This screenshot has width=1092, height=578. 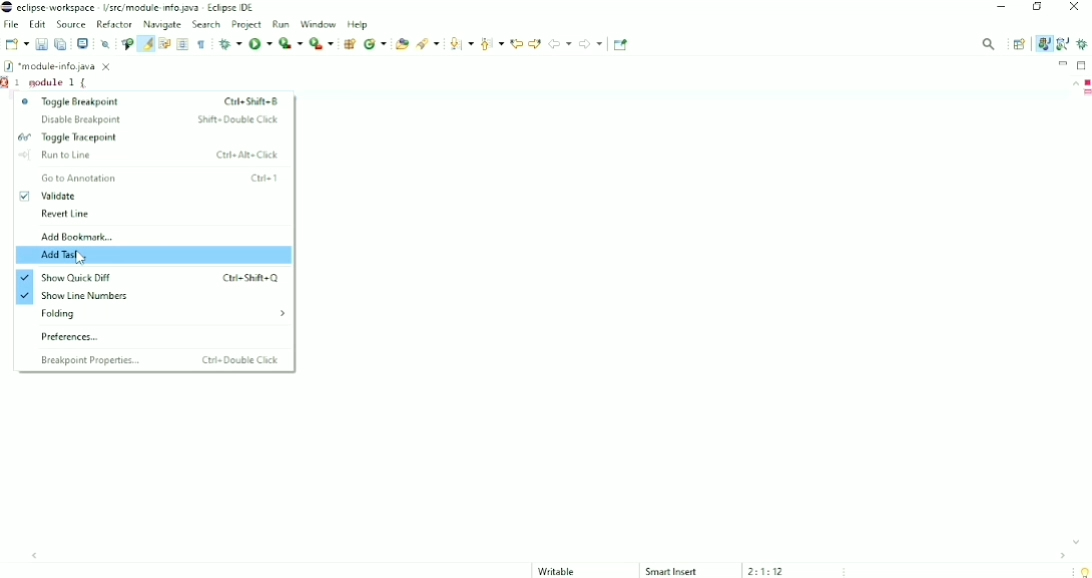 What do you see at coordinates (349, 44) in the screenshot?
I see `New java package` at bounding box center [349, 44].